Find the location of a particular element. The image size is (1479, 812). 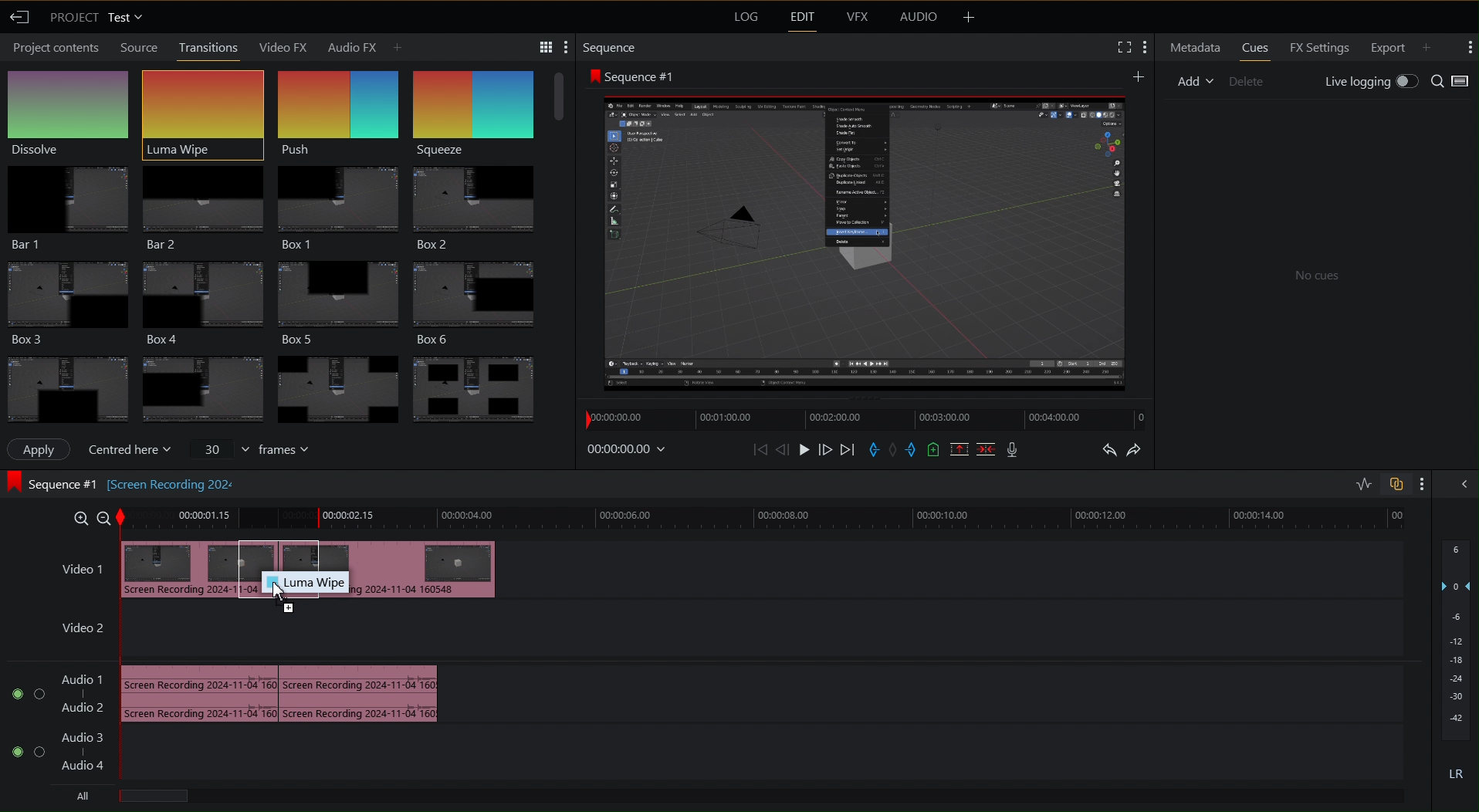

Video 2 is located at coordinates (83, 631).